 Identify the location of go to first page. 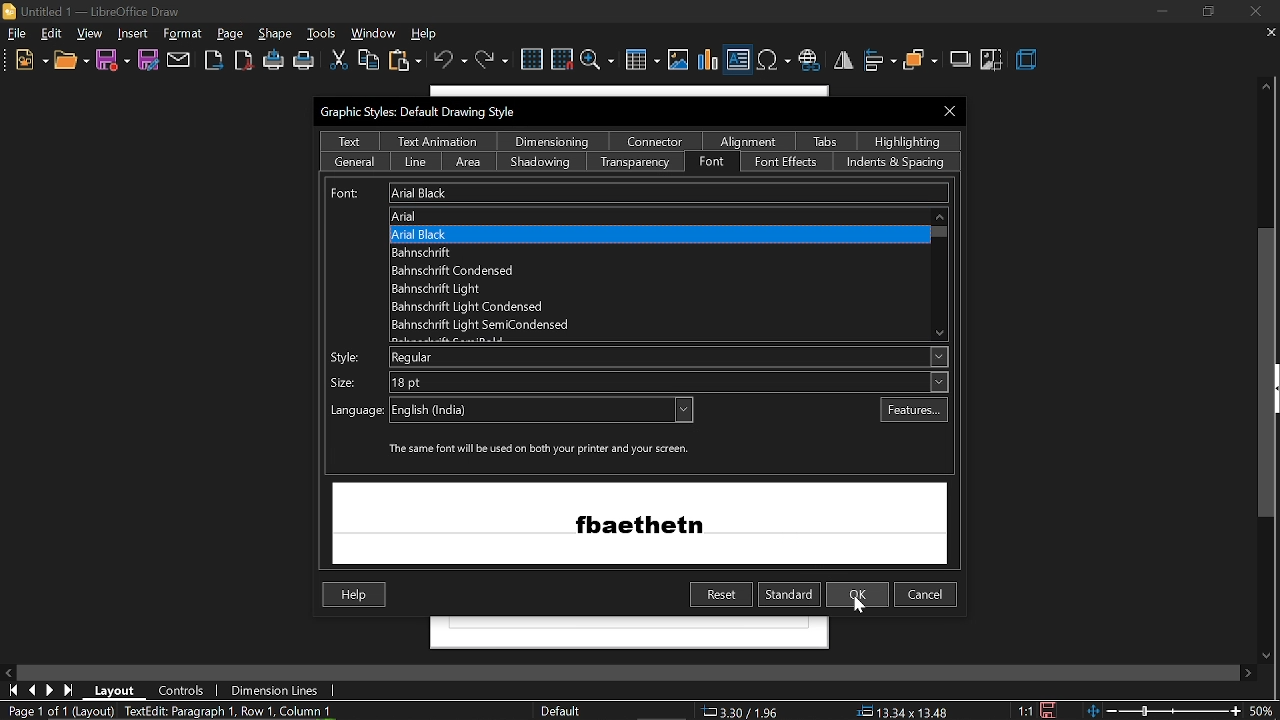
(10, 690).